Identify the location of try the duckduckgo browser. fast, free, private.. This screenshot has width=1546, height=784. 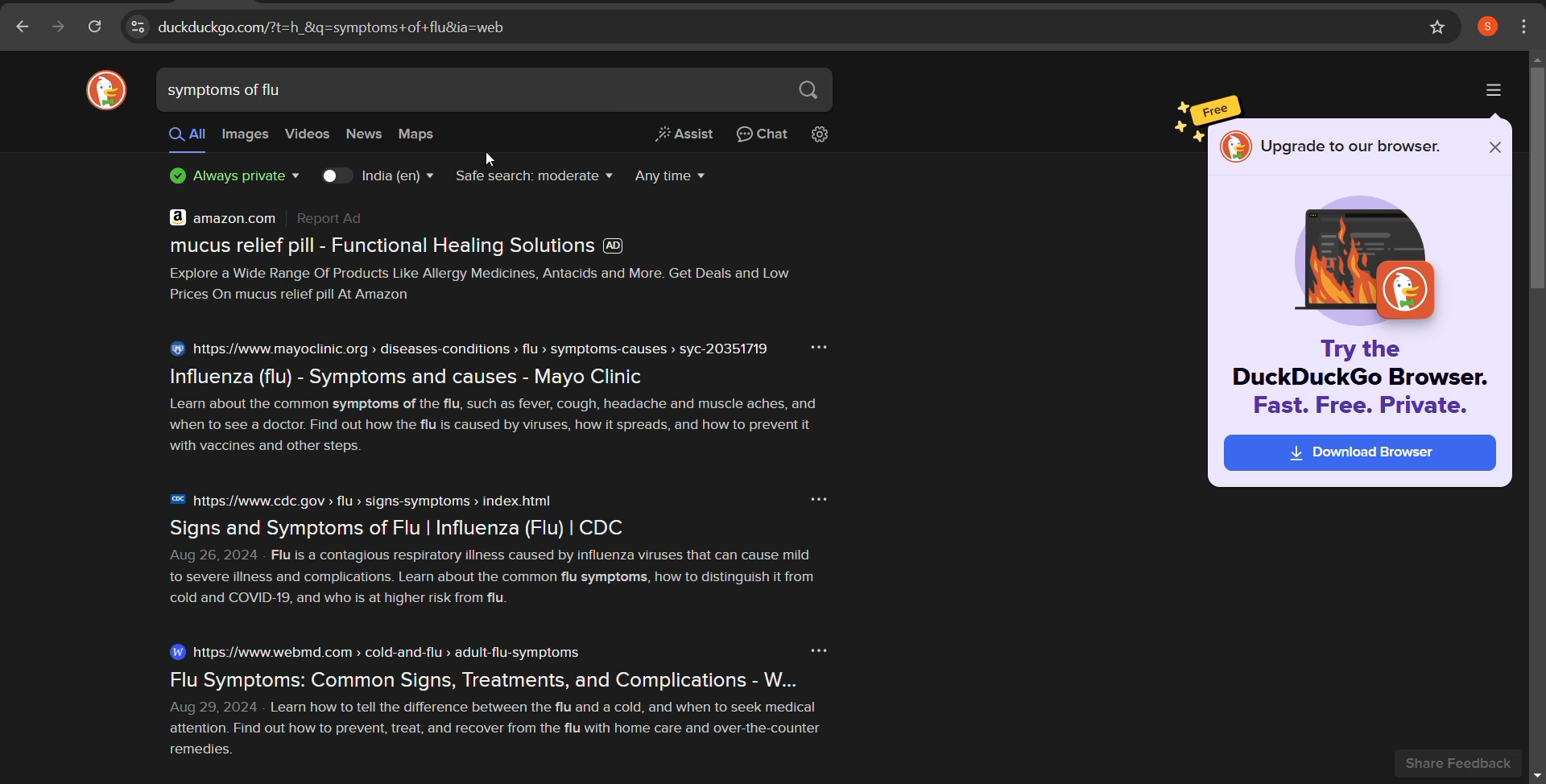
(1356, 386).